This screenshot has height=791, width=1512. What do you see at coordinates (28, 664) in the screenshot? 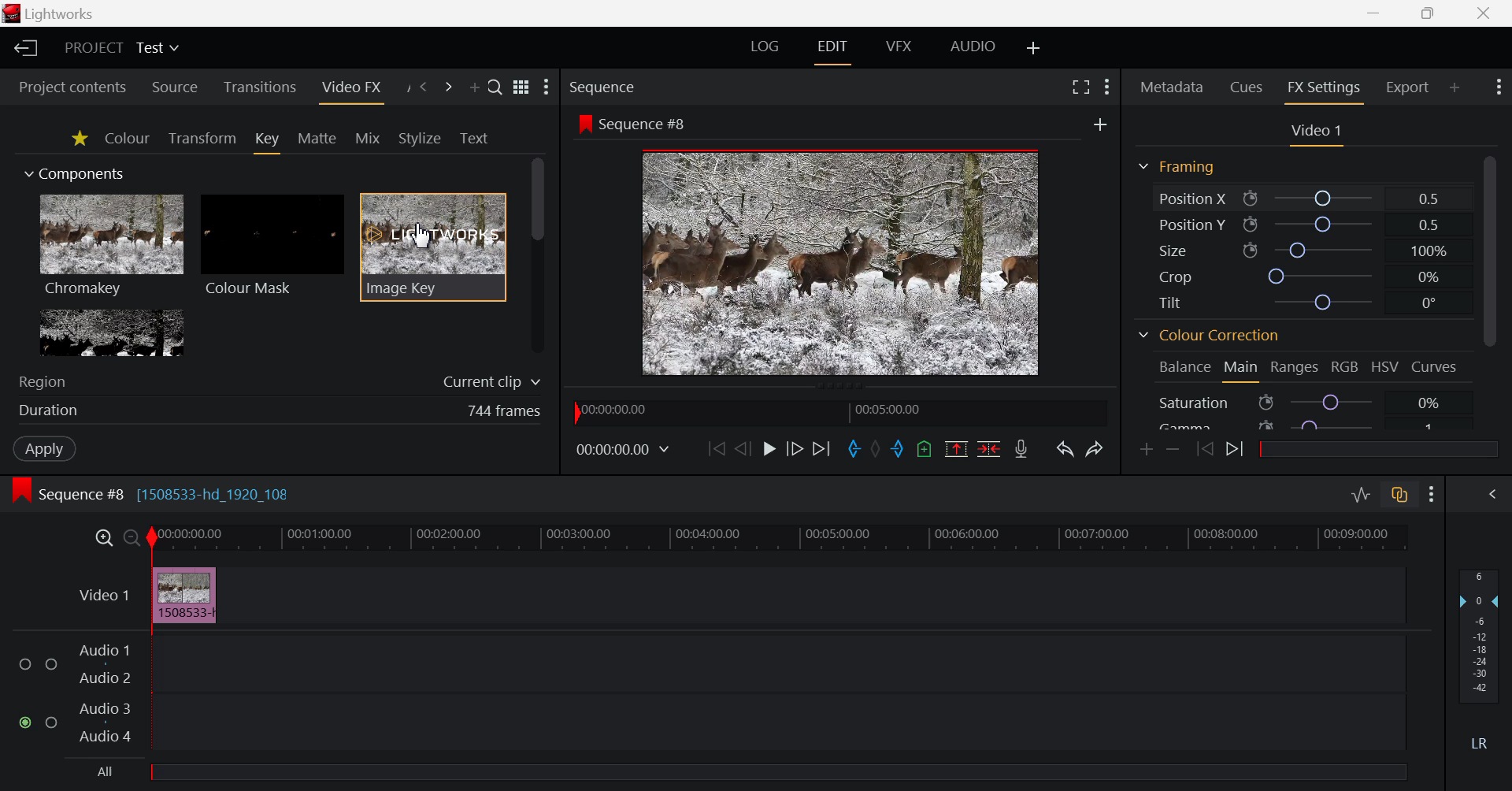
I see `checkbox` at bounding box center [28, 664].